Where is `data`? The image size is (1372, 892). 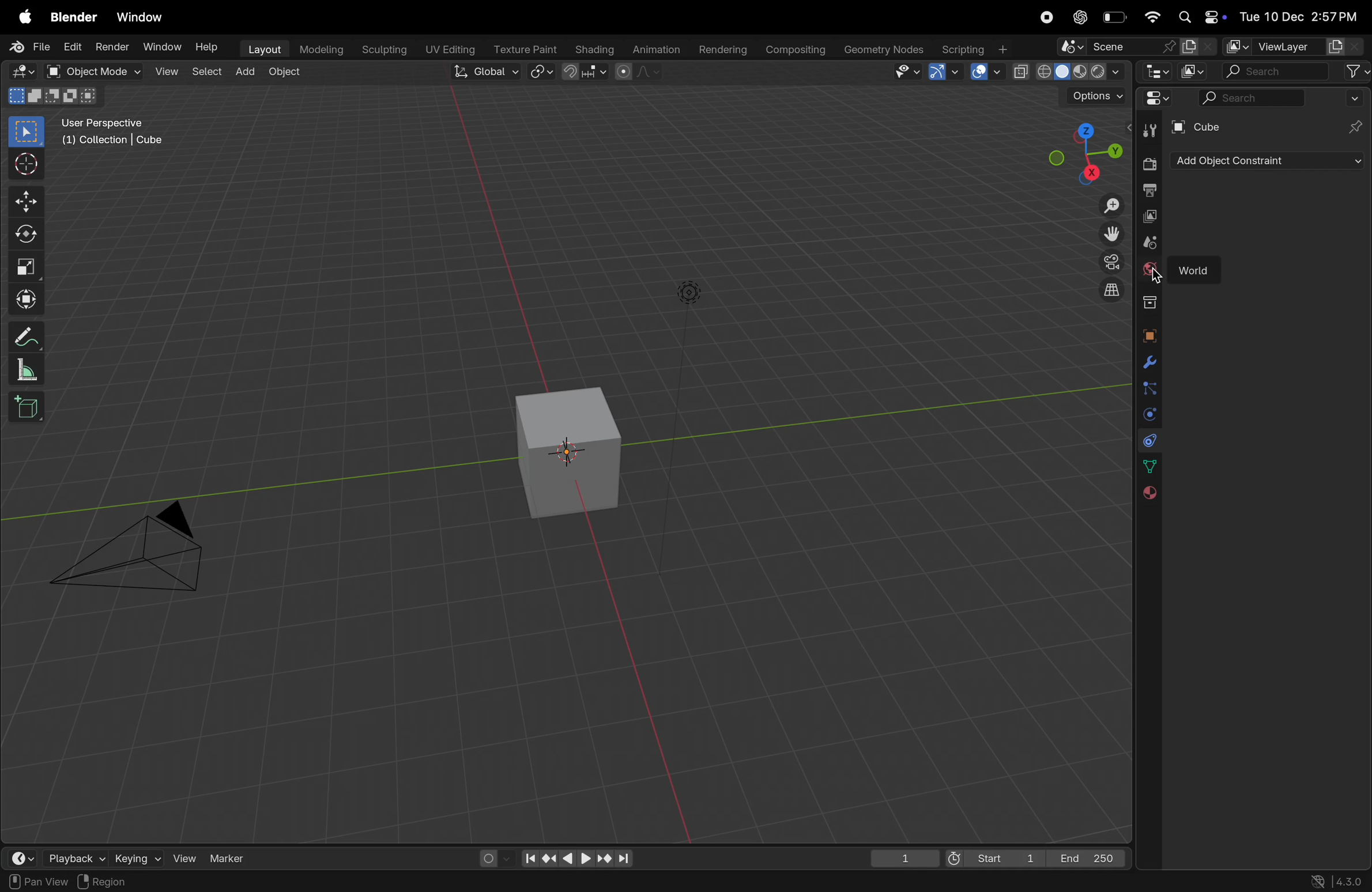
data is located at coordinates (1151, 466).